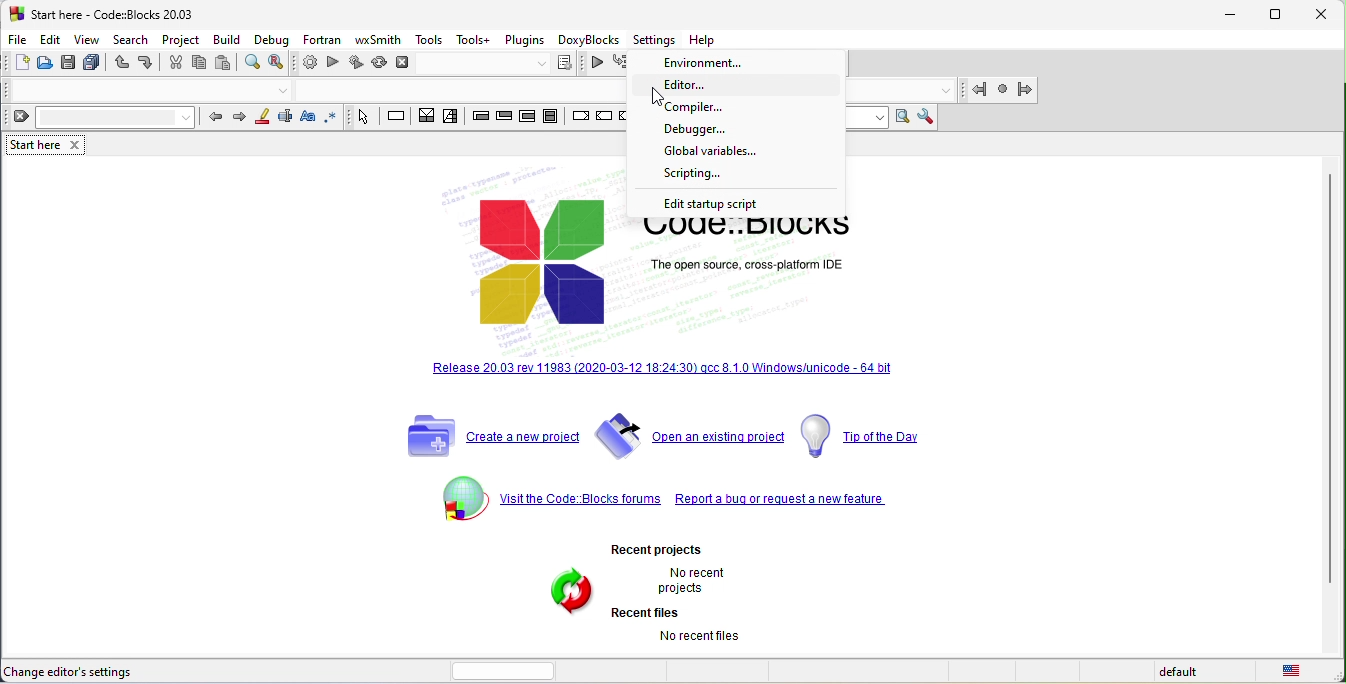 This screenshot has height=684, width=1346. I want to click on default, so click(1171, 673).